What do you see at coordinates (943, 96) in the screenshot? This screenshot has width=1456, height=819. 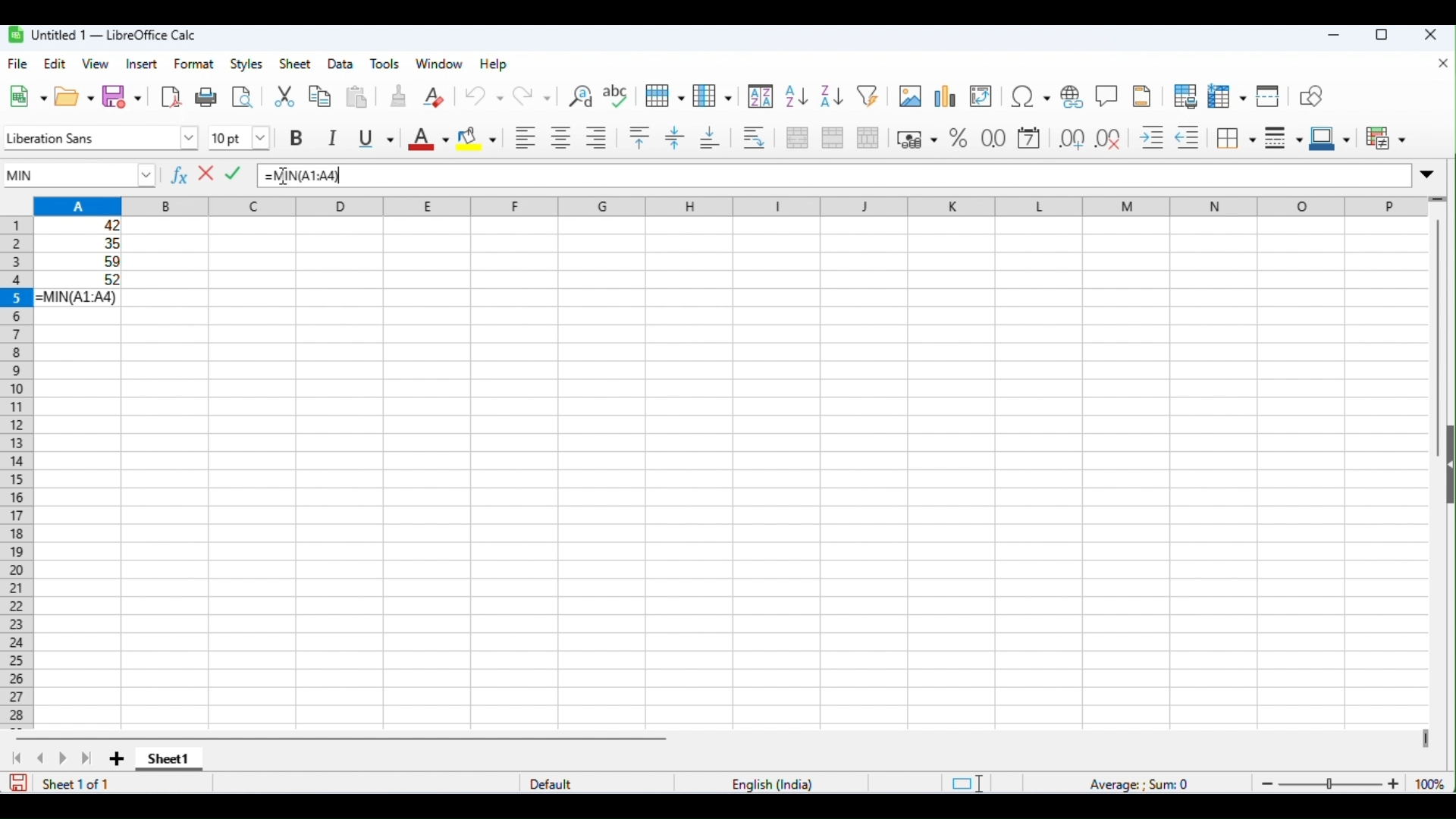 I see `insert chart` at bounding box center [943, 96].